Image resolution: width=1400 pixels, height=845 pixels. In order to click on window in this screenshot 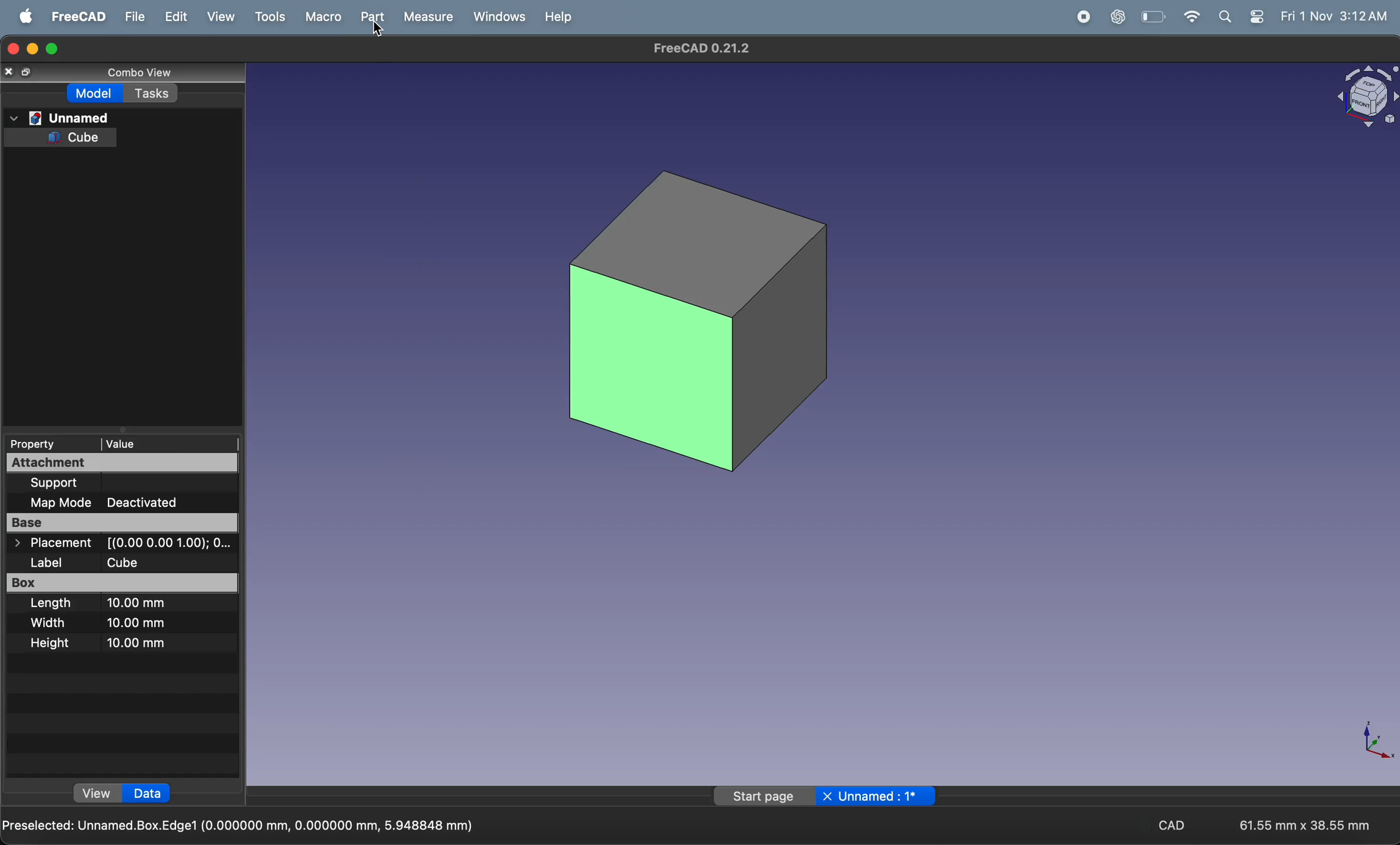, I will do `click(497, 17)`.